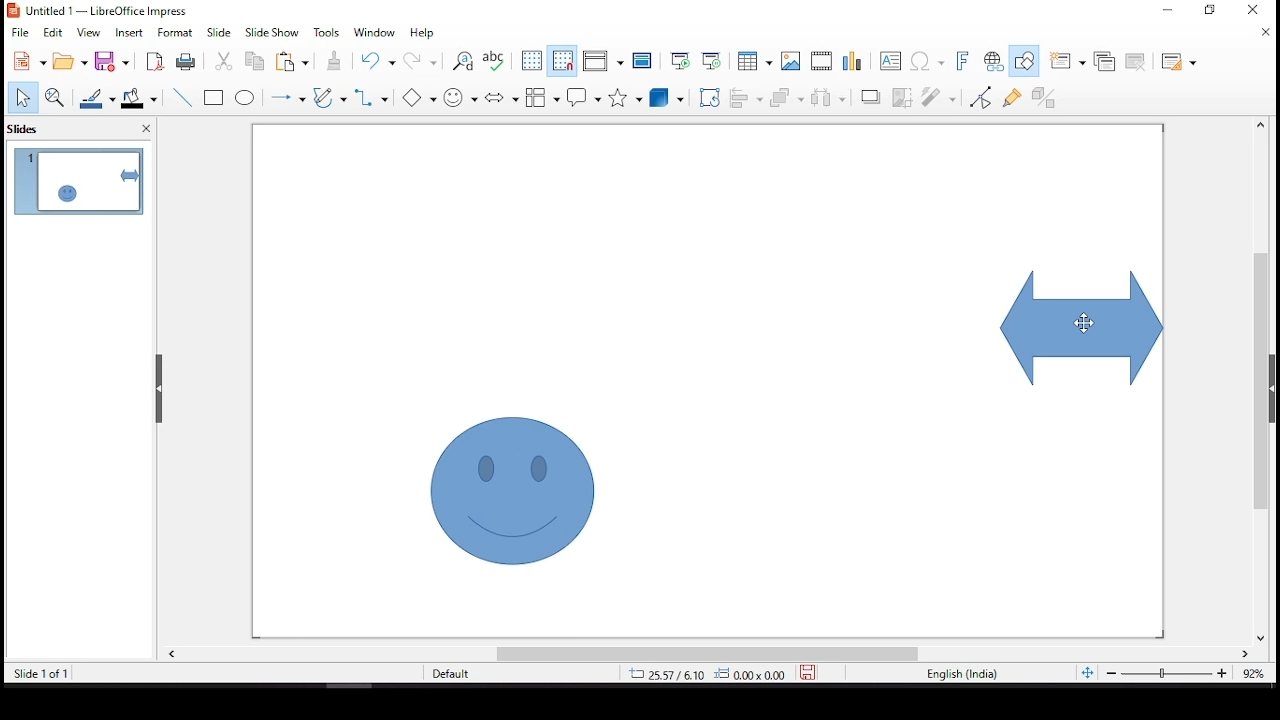  What do you see at coordinates (1106, 59) in the screenshot?
I see `duplicate slide` at bounding box center [1106, 59].